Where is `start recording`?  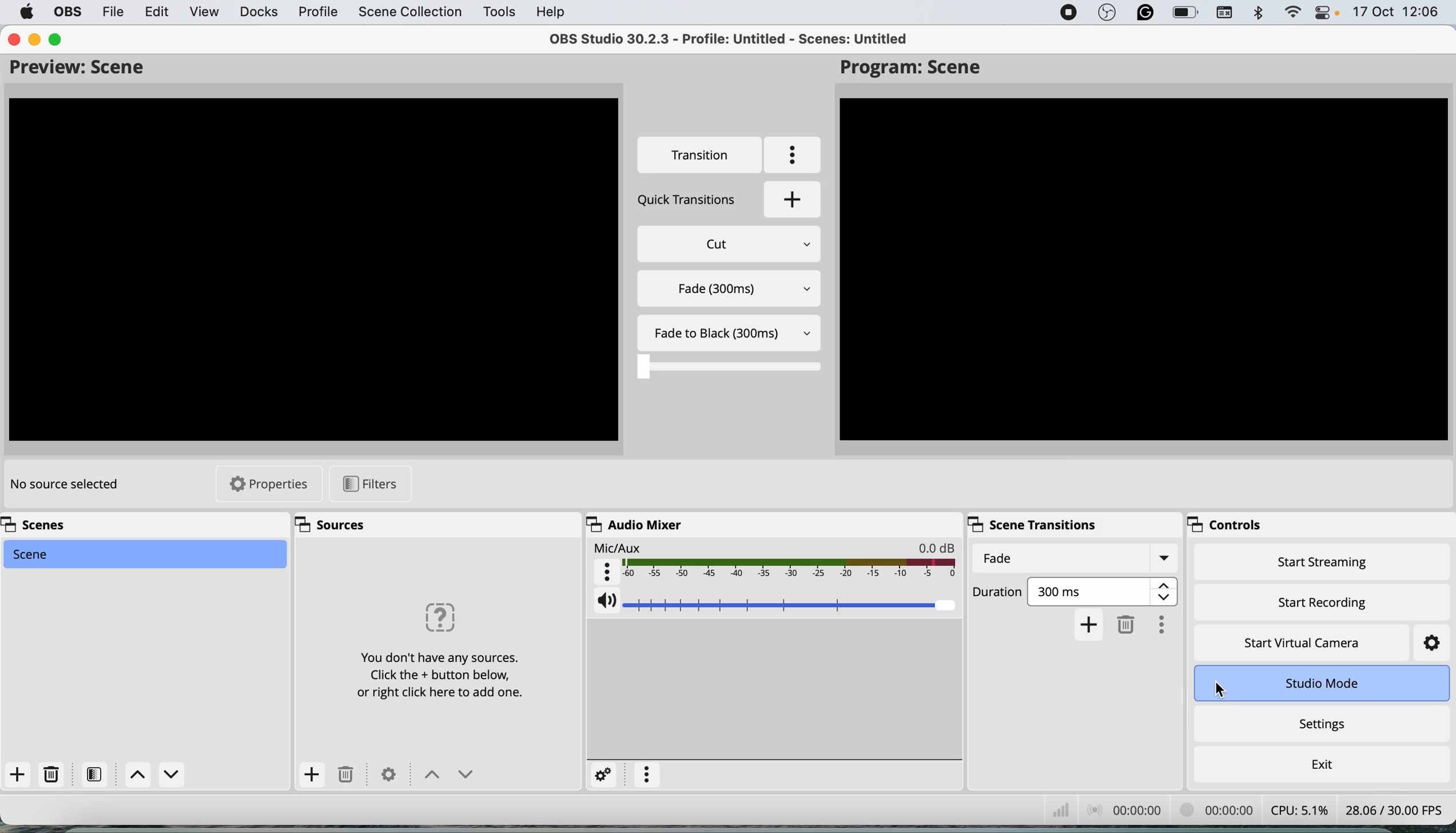
start recording is located at coordinates (1320, 601).